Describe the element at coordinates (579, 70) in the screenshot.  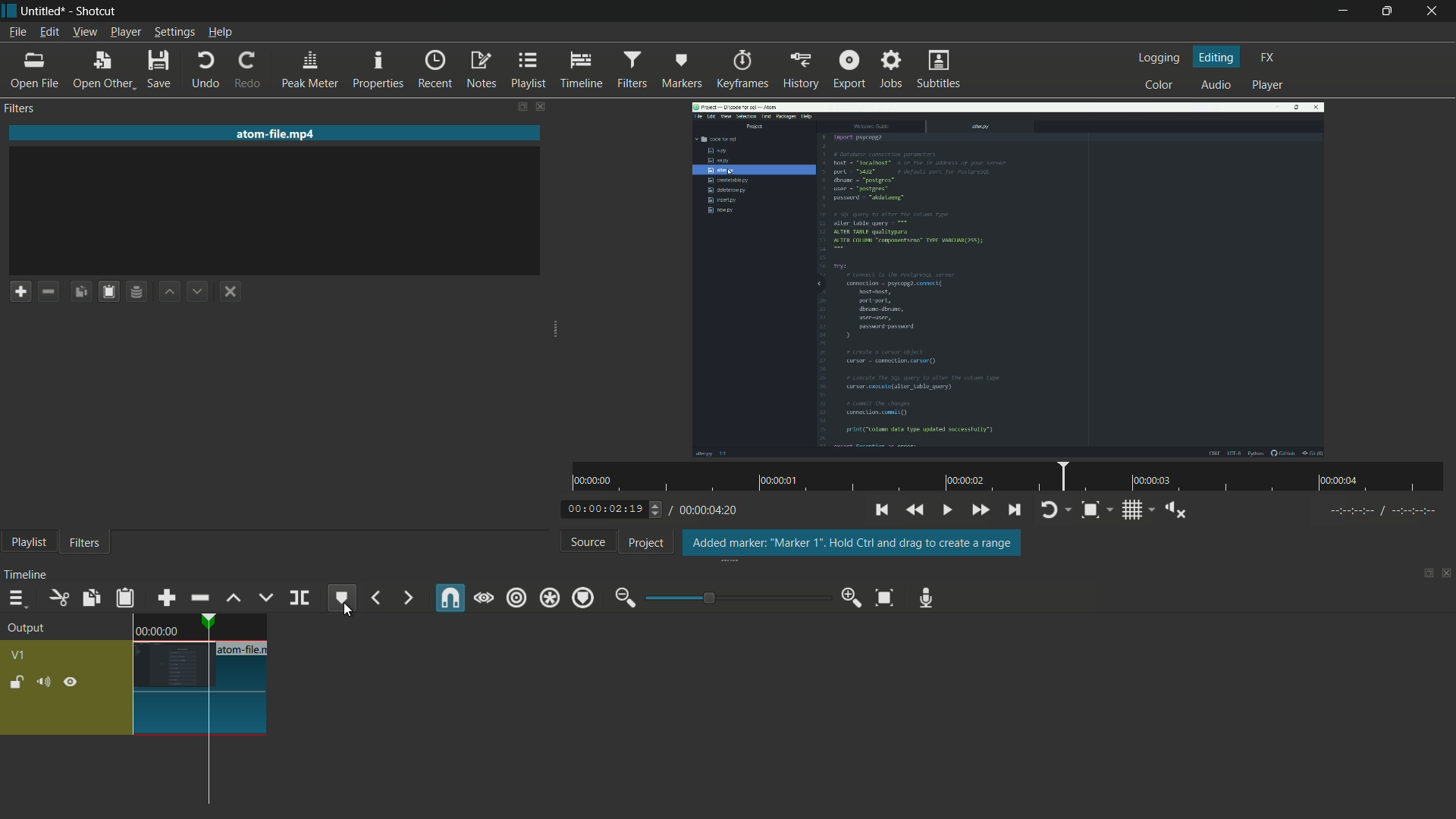
I see `timeline` at that location.